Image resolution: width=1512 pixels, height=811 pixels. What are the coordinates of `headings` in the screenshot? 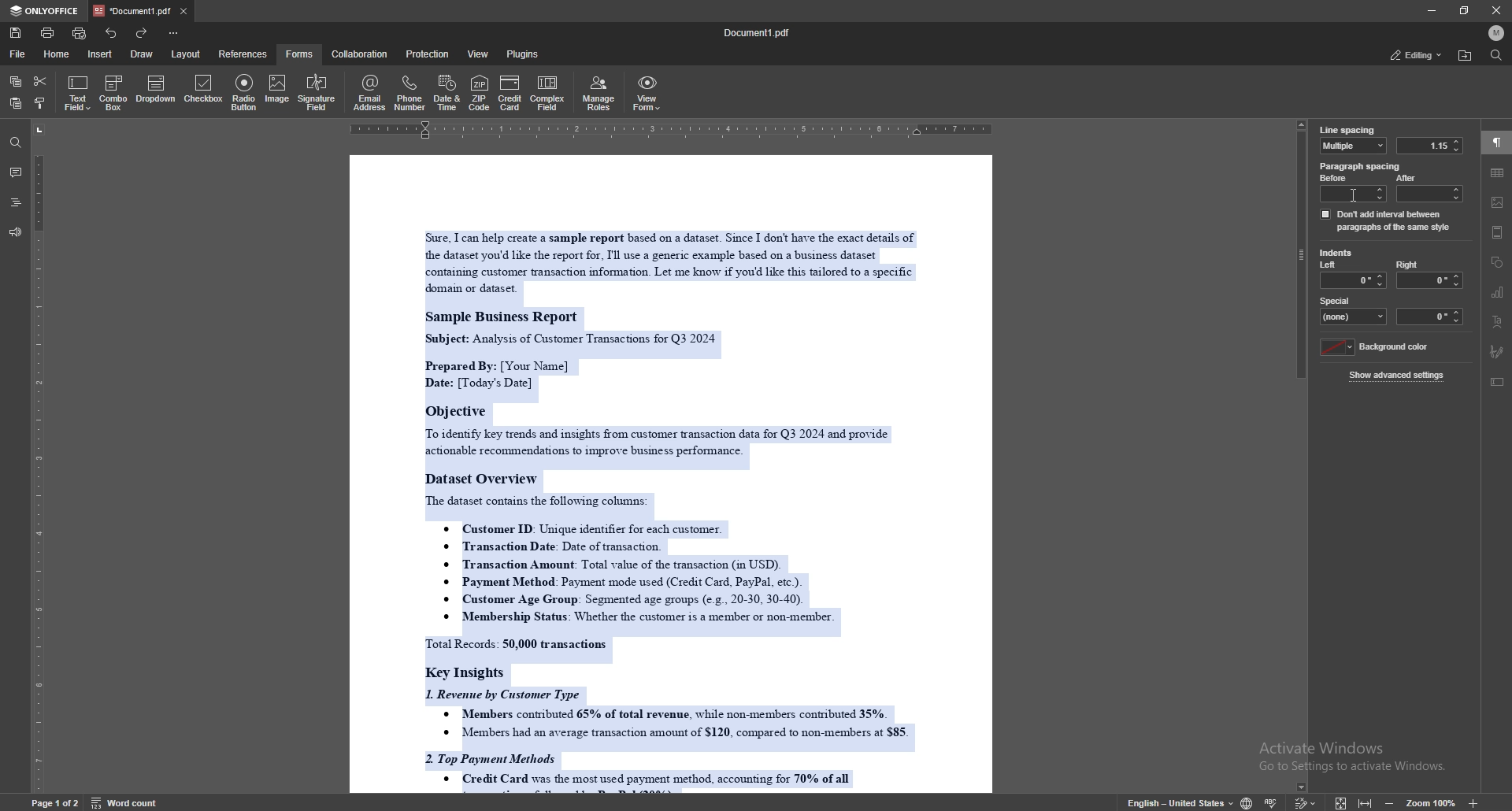 It's located at (16, 202).